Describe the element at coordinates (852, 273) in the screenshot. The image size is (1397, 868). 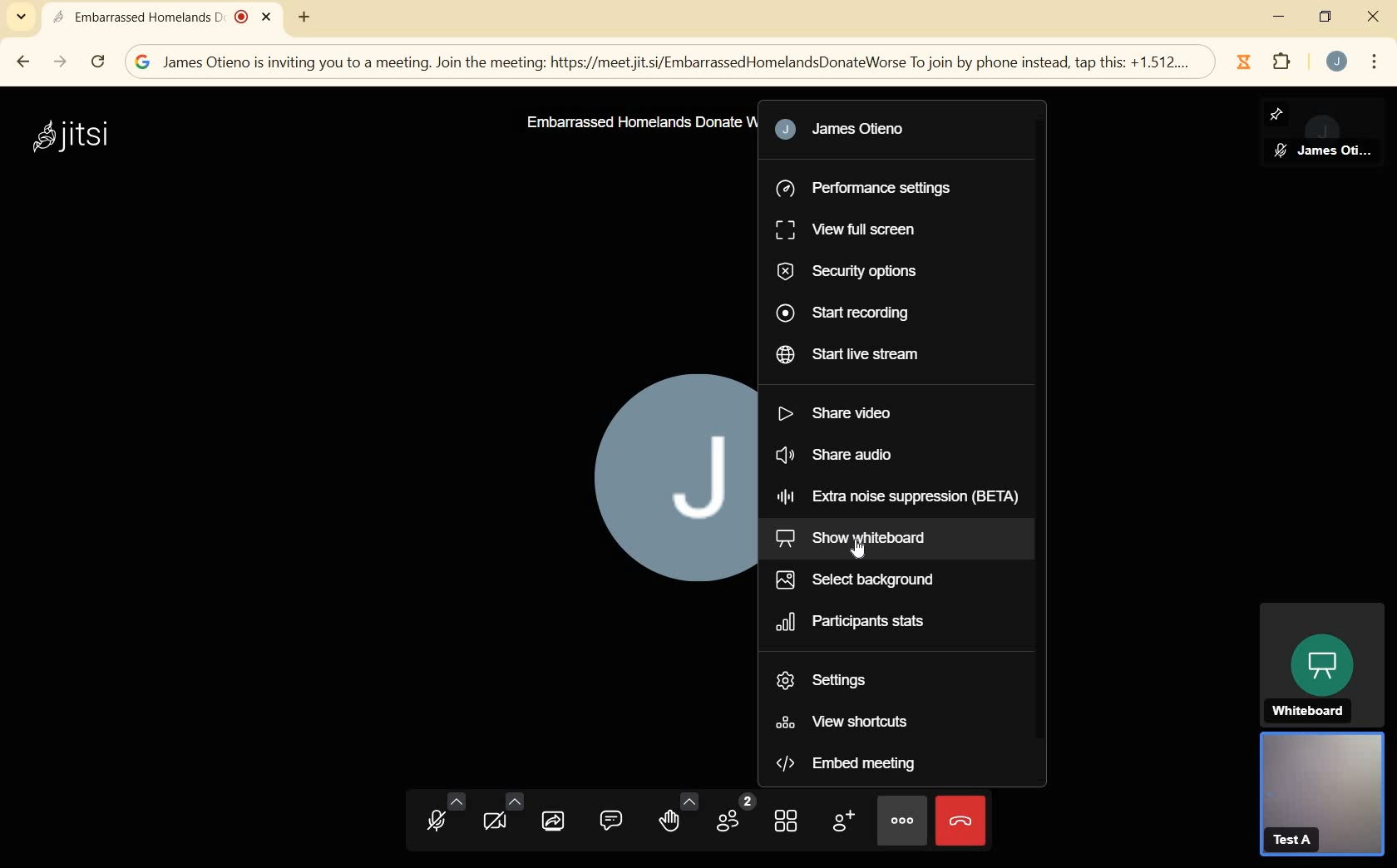
I see `SECURITY OPTIONS` at that location.